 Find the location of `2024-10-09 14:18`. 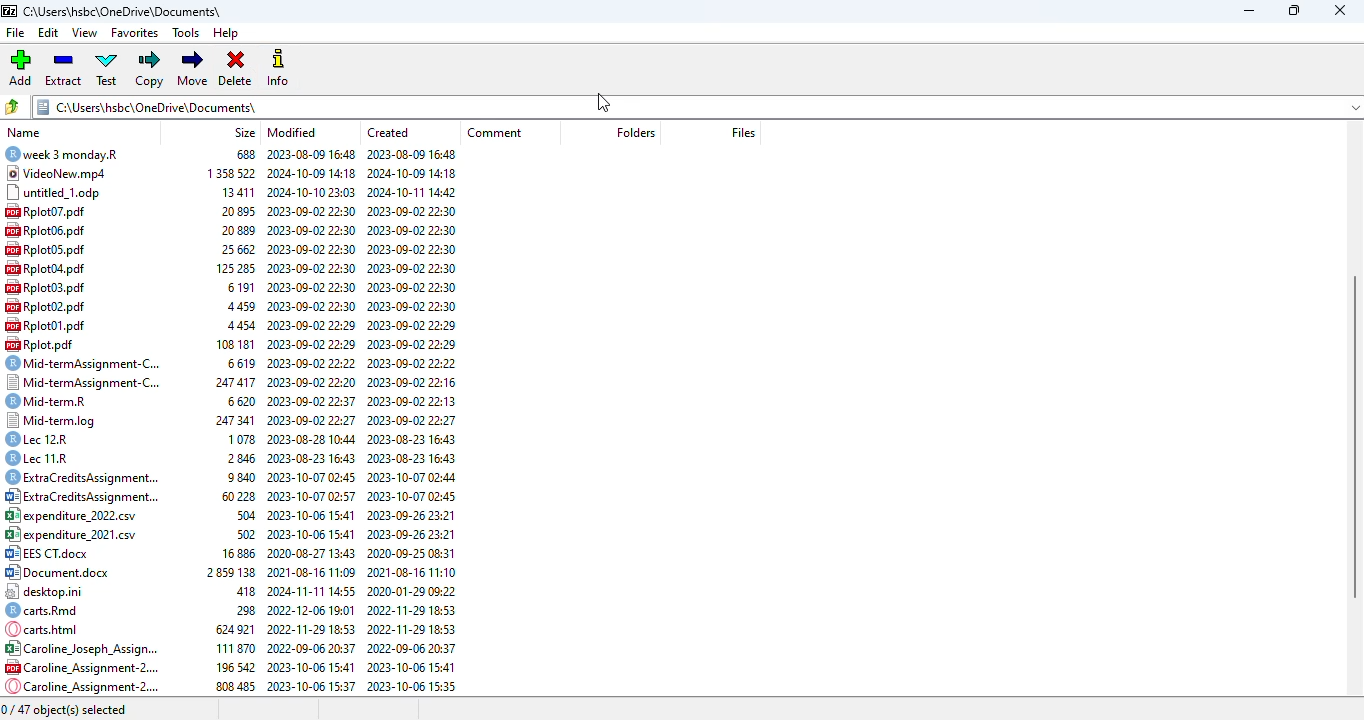

2024-10-09 14:18 is located at coordinates (411, 173).